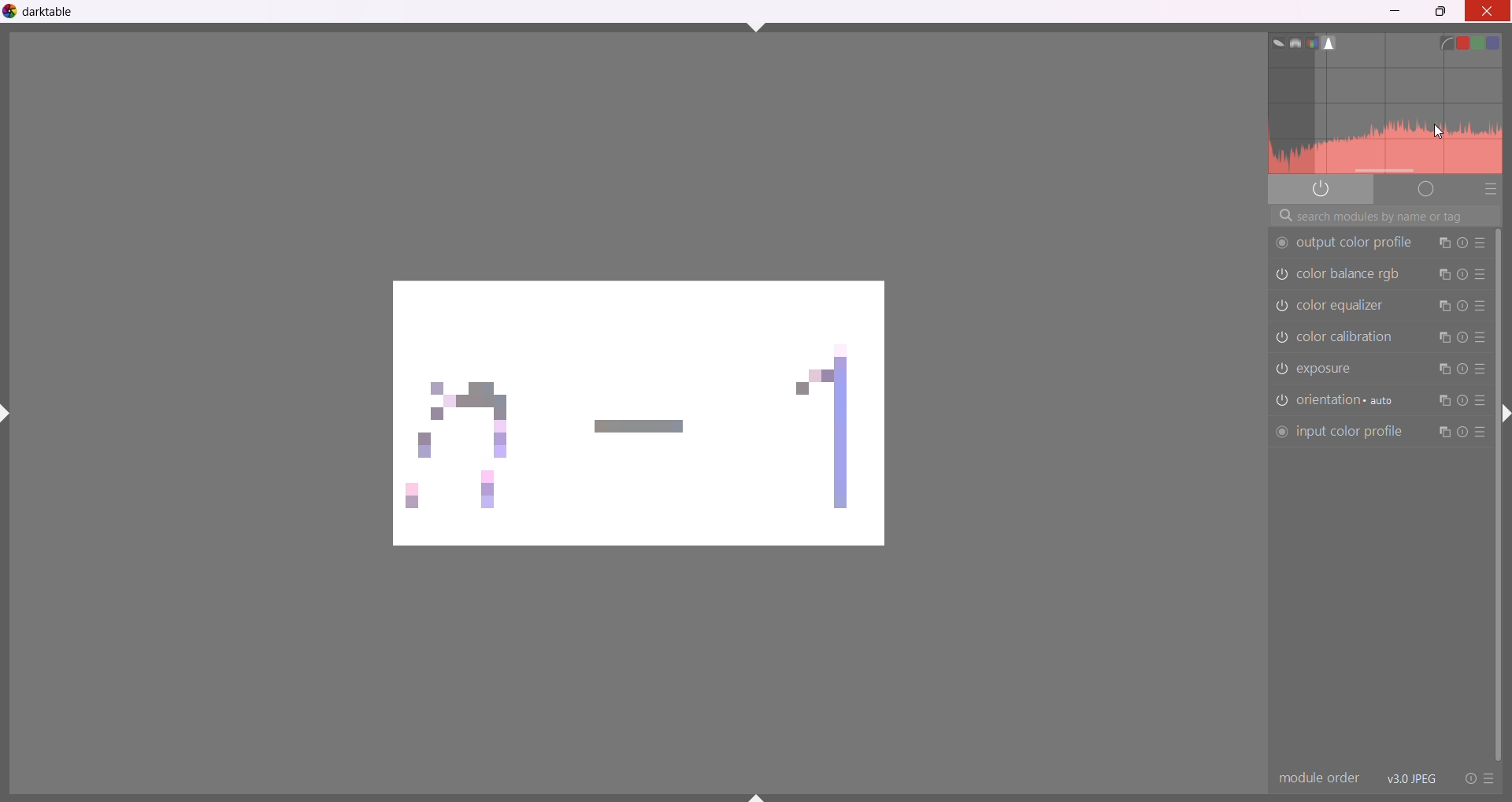  Describe the element at coordinates (1343, 243) in the screenshot. I see `output color profile` at that location.